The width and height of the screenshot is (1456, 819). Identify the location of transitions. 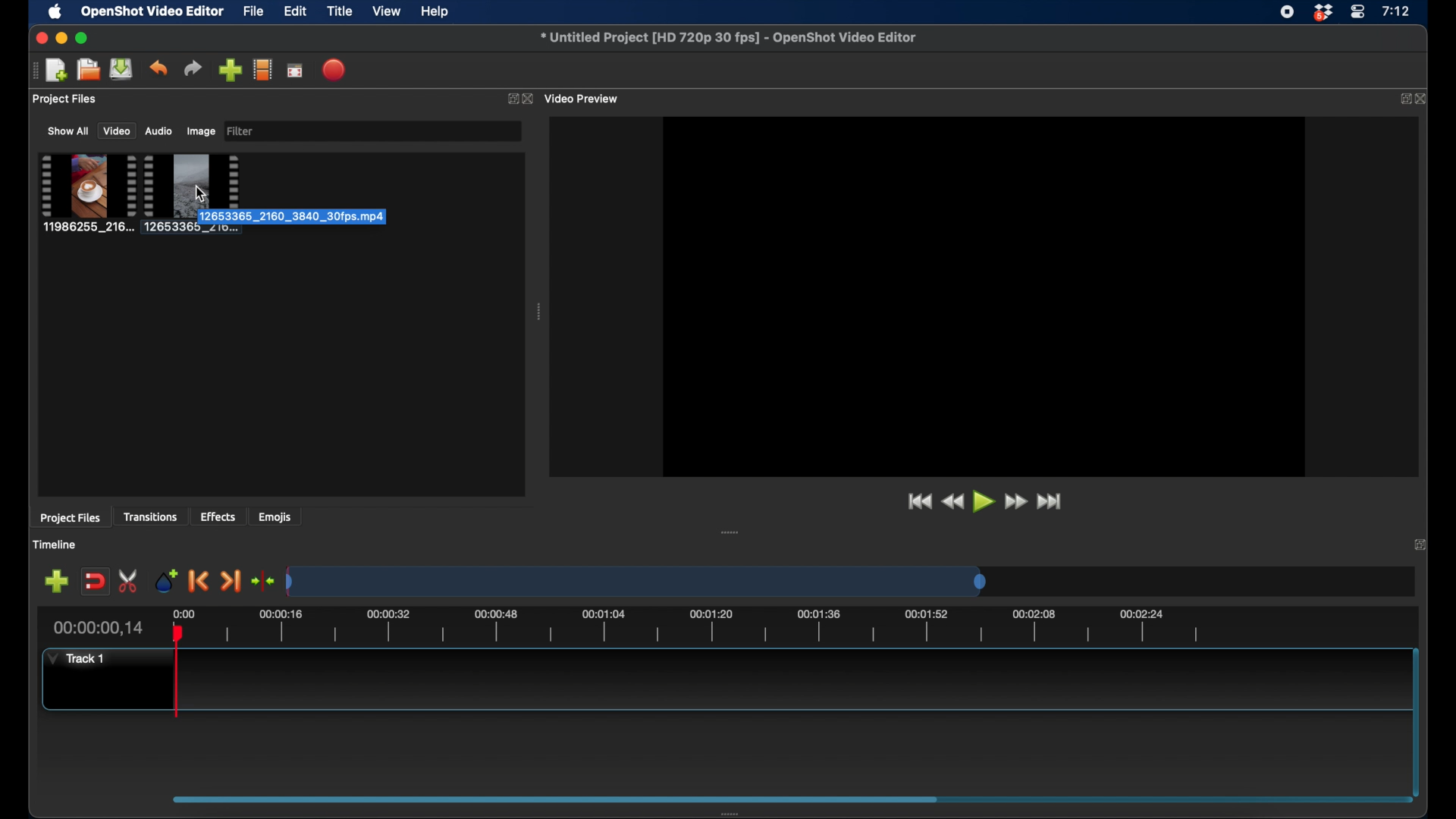
(150, 517).